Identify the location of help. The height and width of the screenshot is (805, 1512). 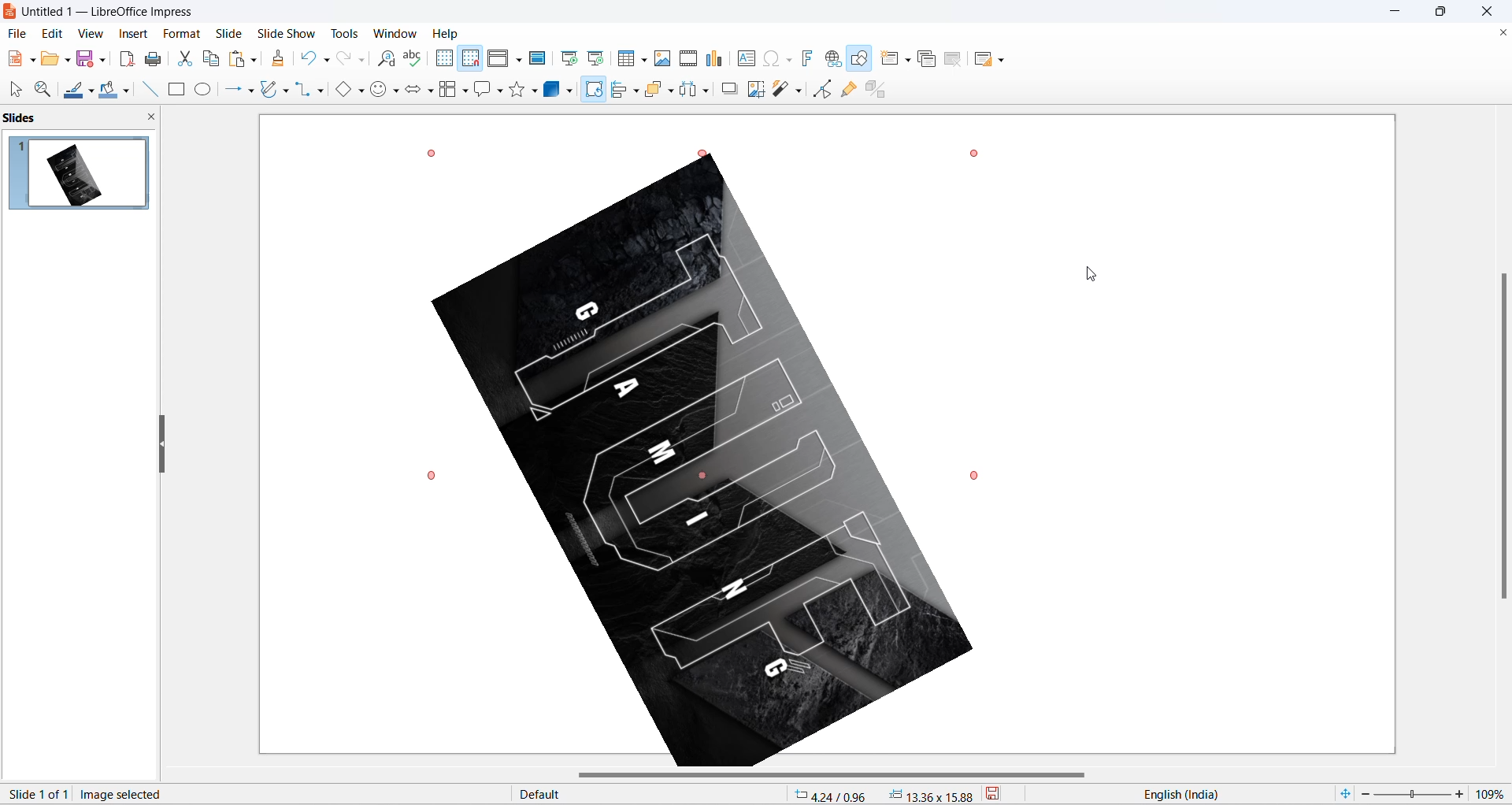
(447, 33).